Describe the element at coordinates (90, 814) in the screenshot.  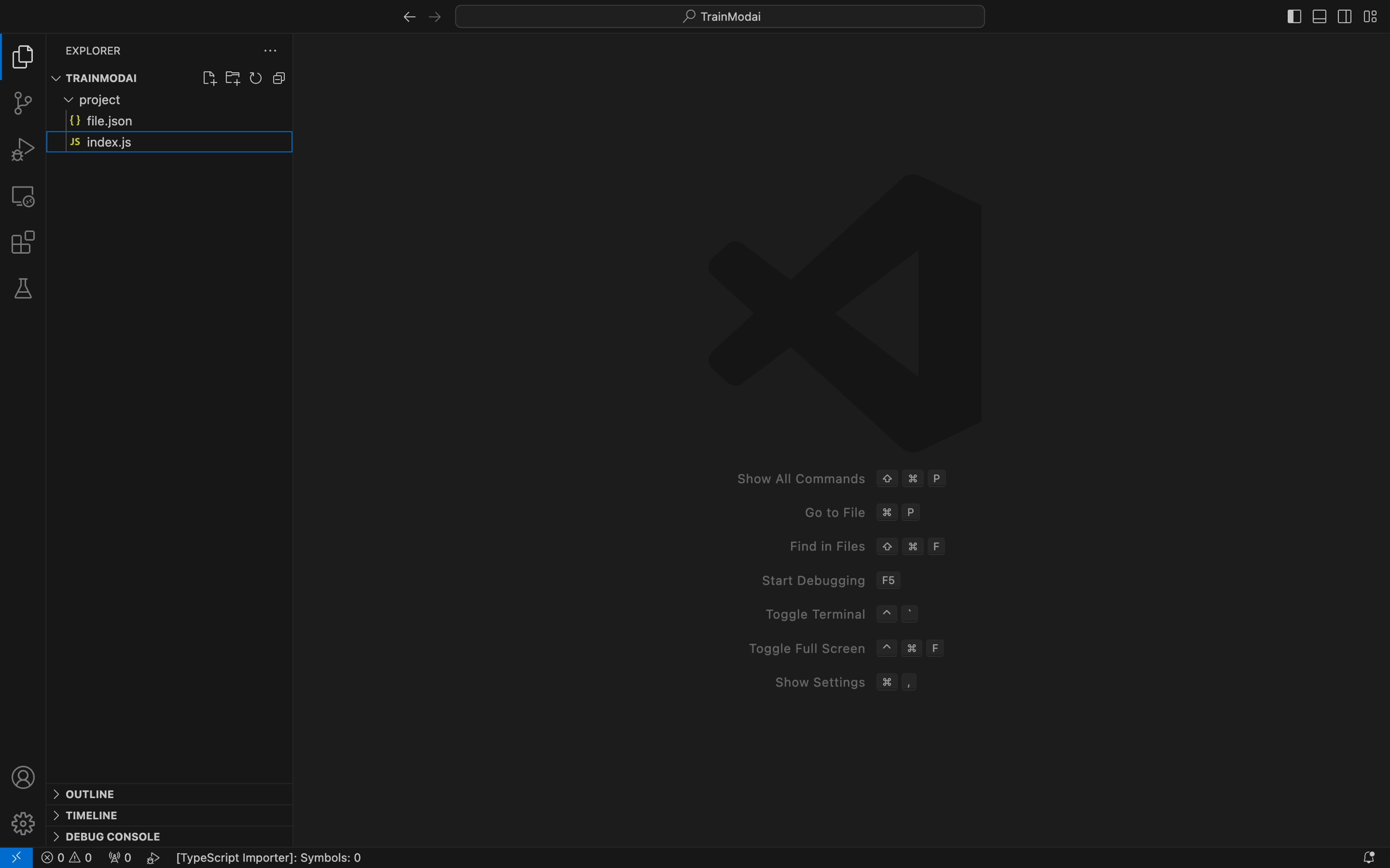
I see `timeline` at that location.